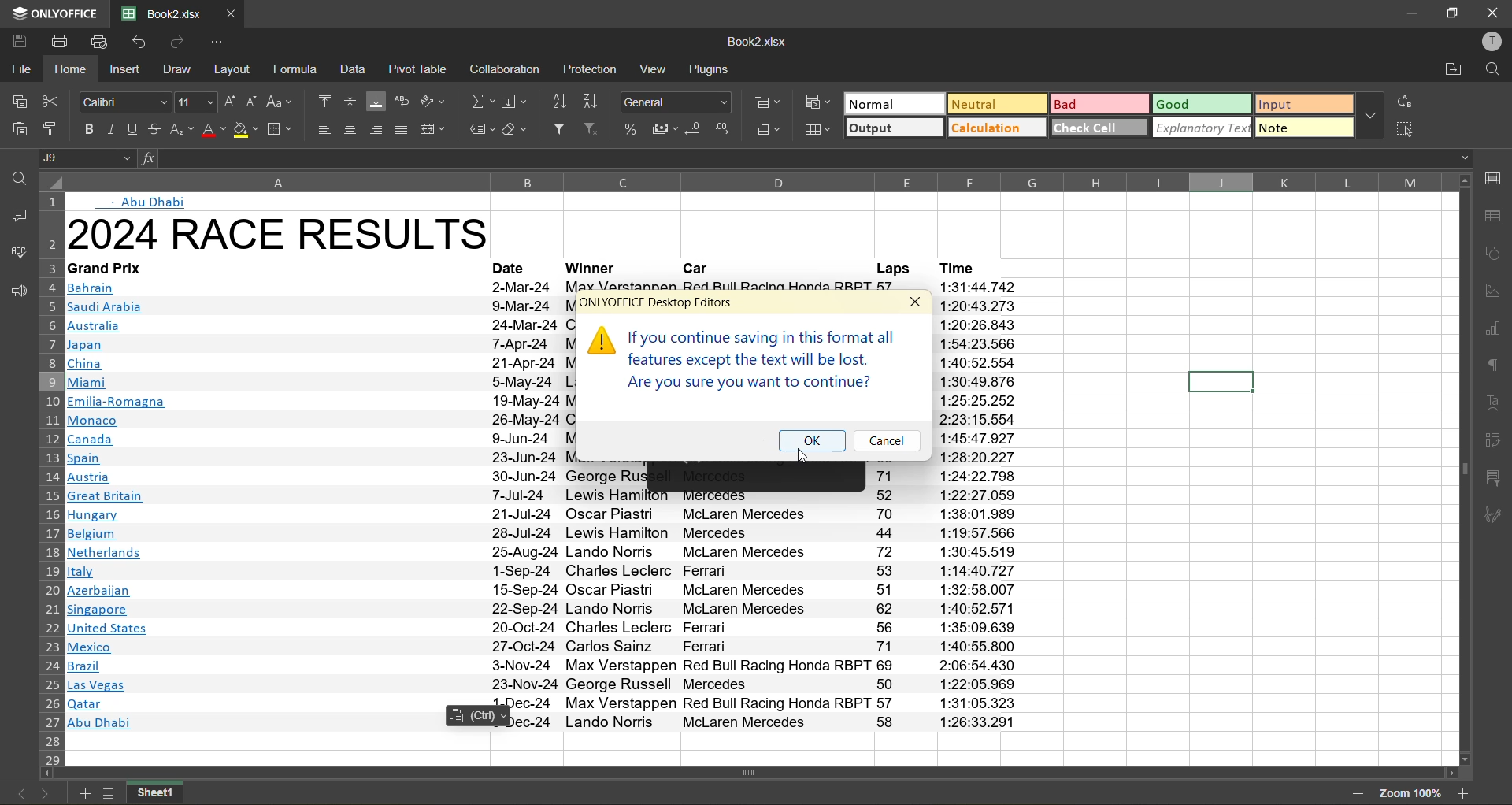  What do you see at coordinates (315, 287) in the screenshot?
I see `text info` at bounding box center [315, 287].